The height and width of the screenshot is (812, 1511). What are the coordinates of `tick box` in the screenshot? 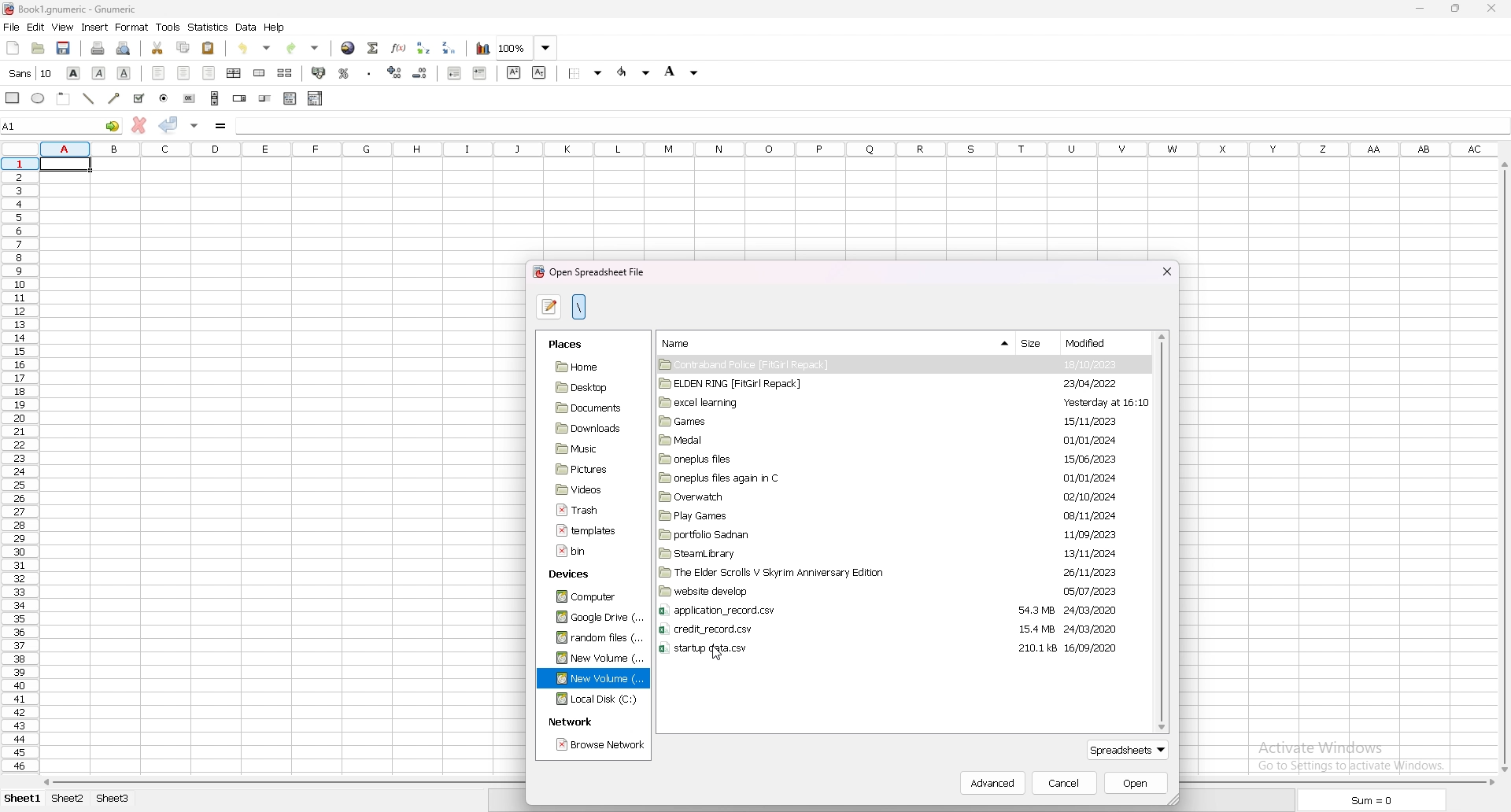 It's located at (139, 98).